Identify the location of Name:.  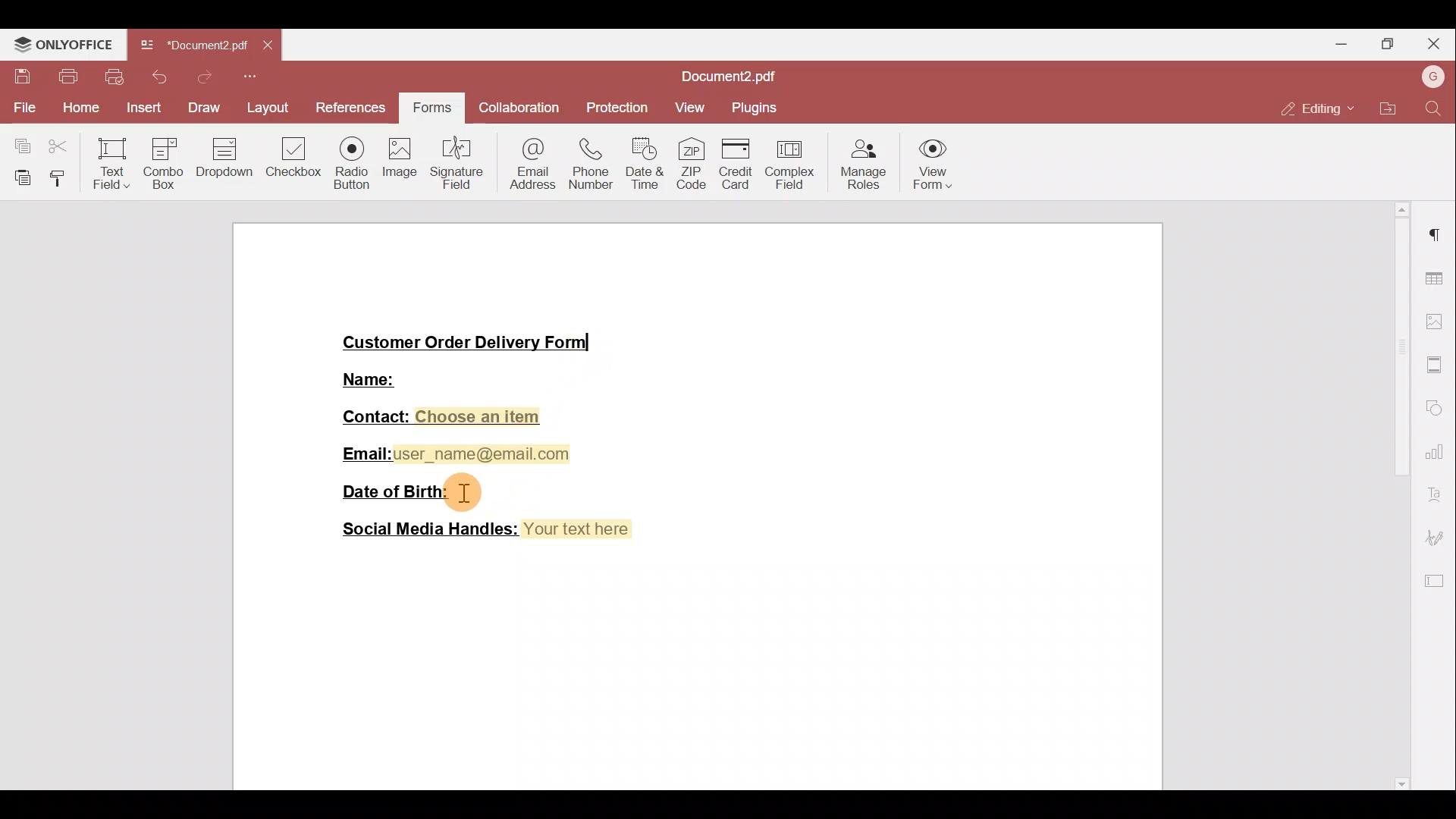
(371, 378).